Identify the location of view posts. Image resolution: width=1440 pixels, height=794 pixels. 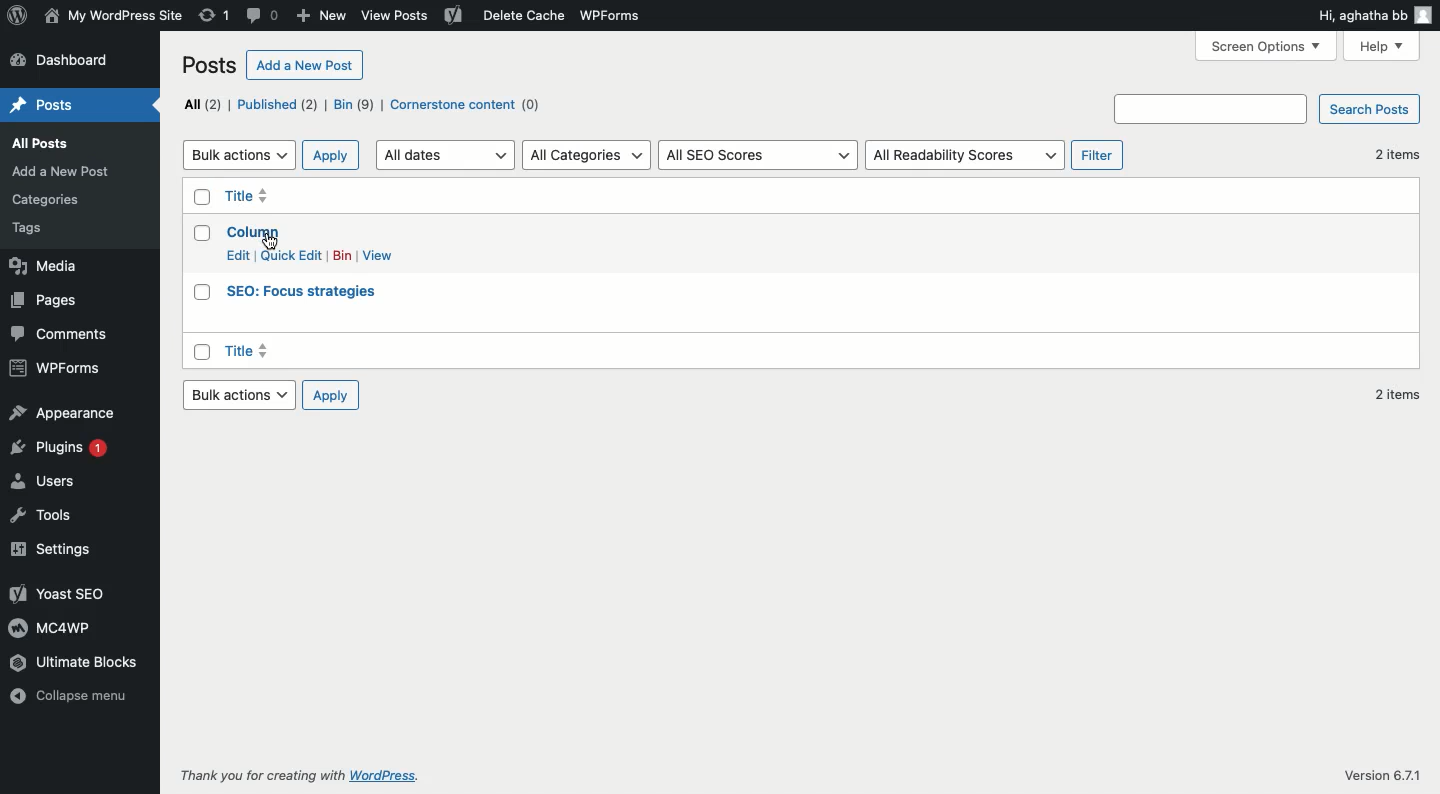
(395, 20).